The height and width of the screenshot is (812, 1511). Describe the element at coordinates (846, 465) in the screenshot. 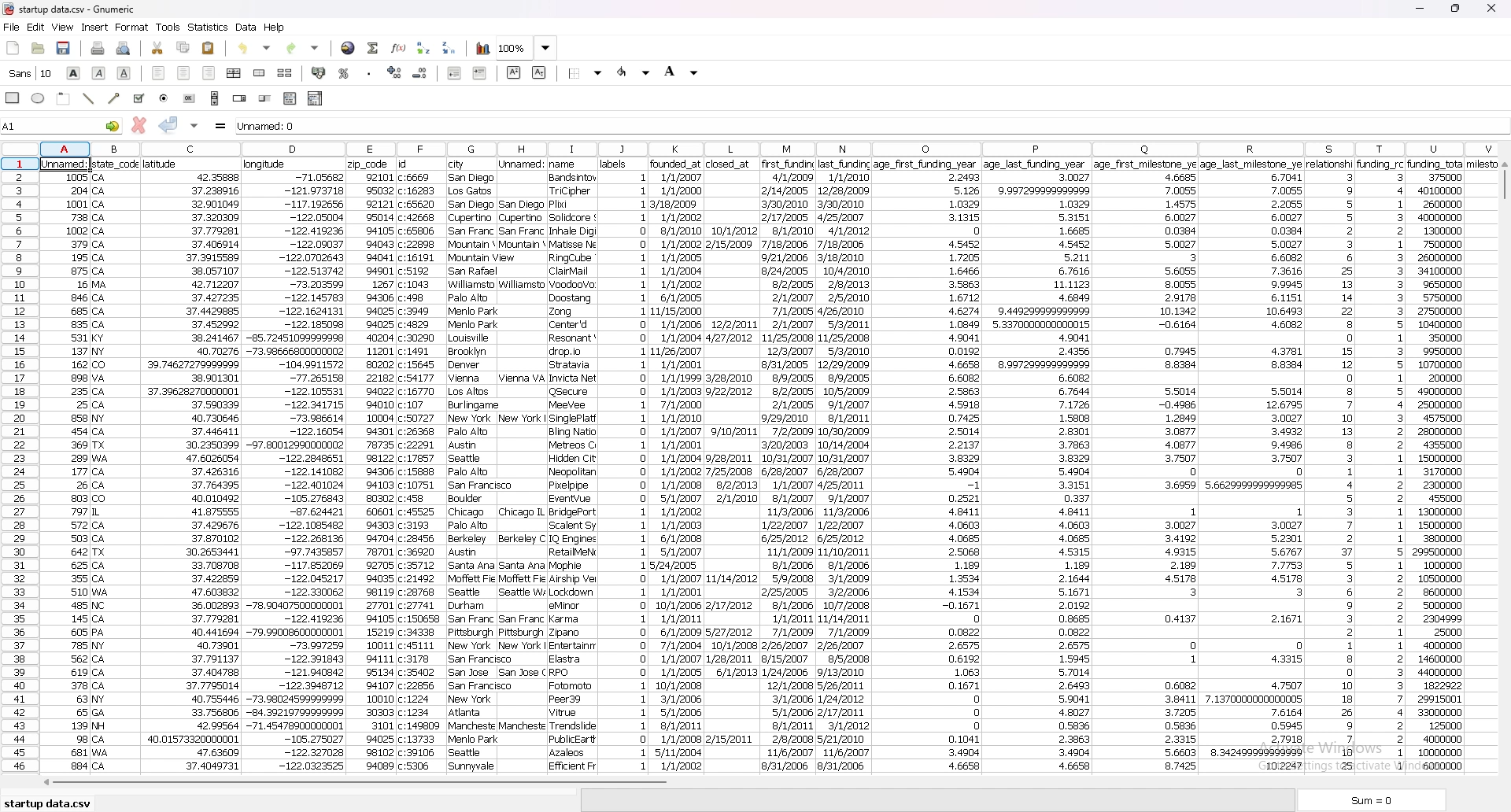

I see `data` at that location.